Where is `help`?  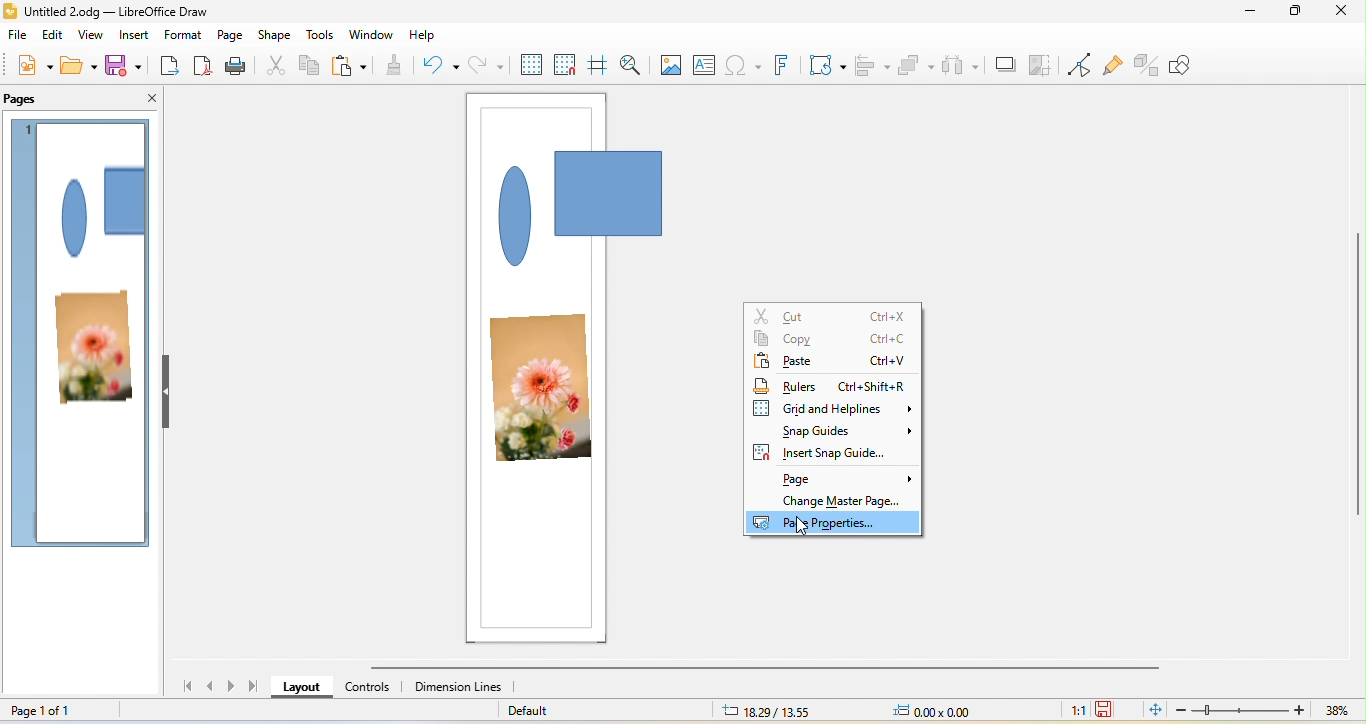 help is located at coordinates (423, 36).